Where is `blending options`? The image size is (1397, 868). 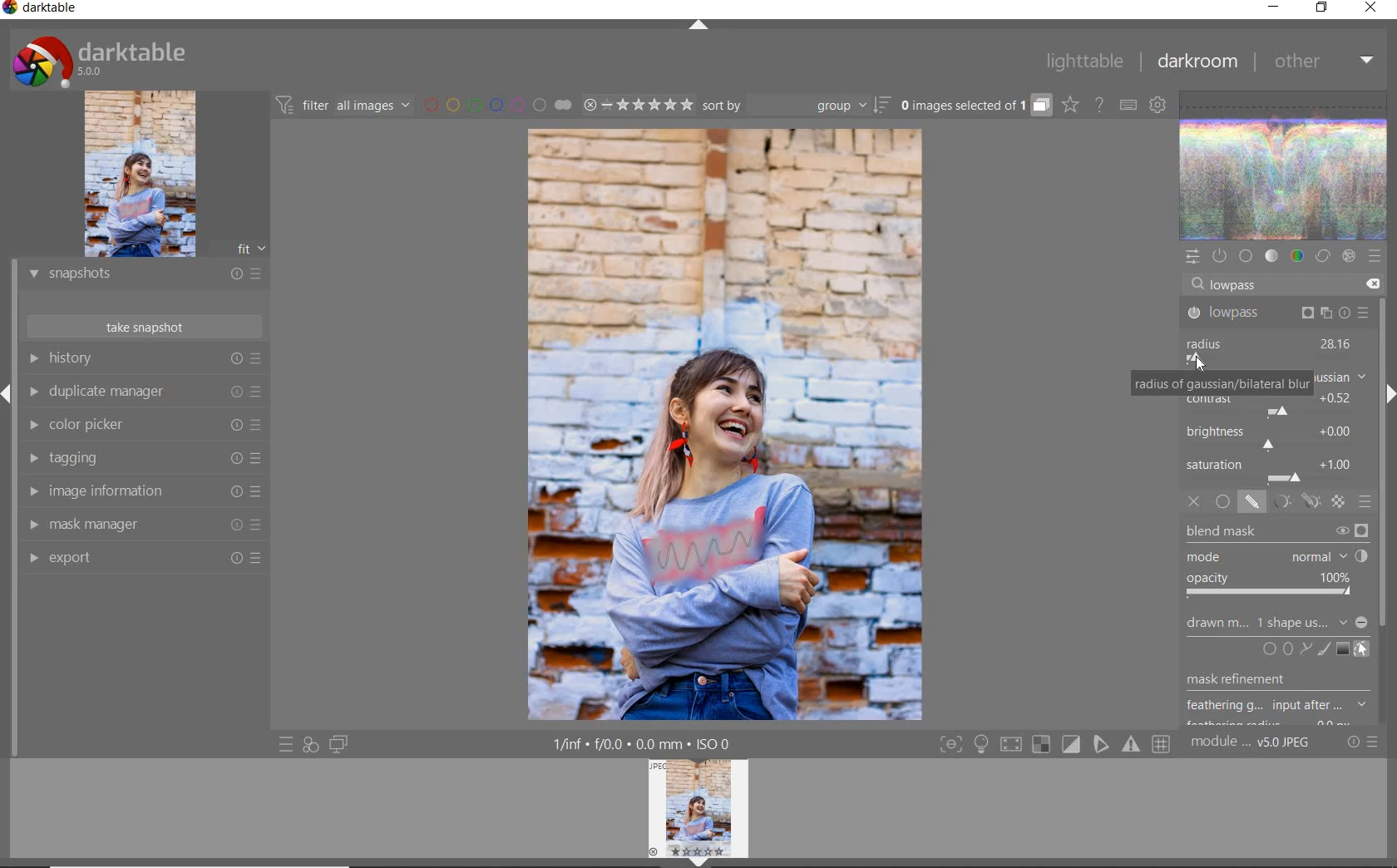 blending options is located at coordinates (1365, 501).